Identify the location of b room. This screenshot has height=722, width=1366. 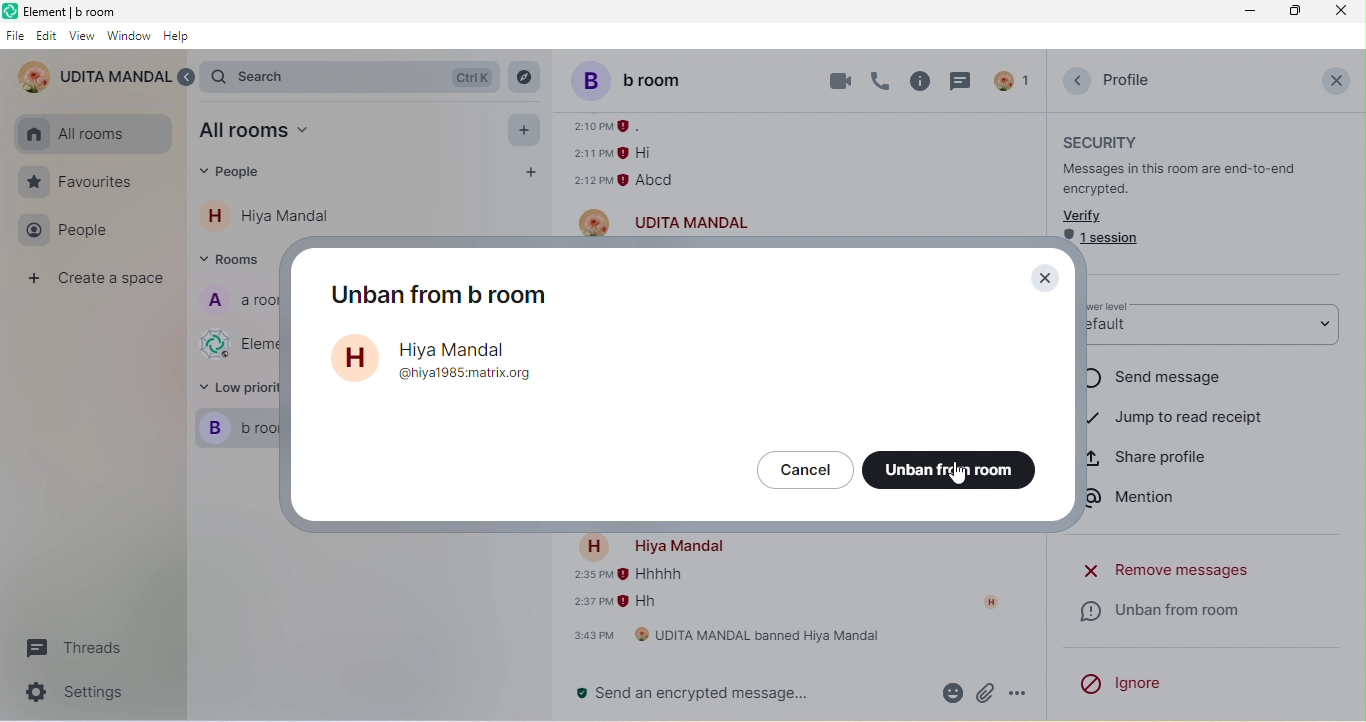
(654, 79).